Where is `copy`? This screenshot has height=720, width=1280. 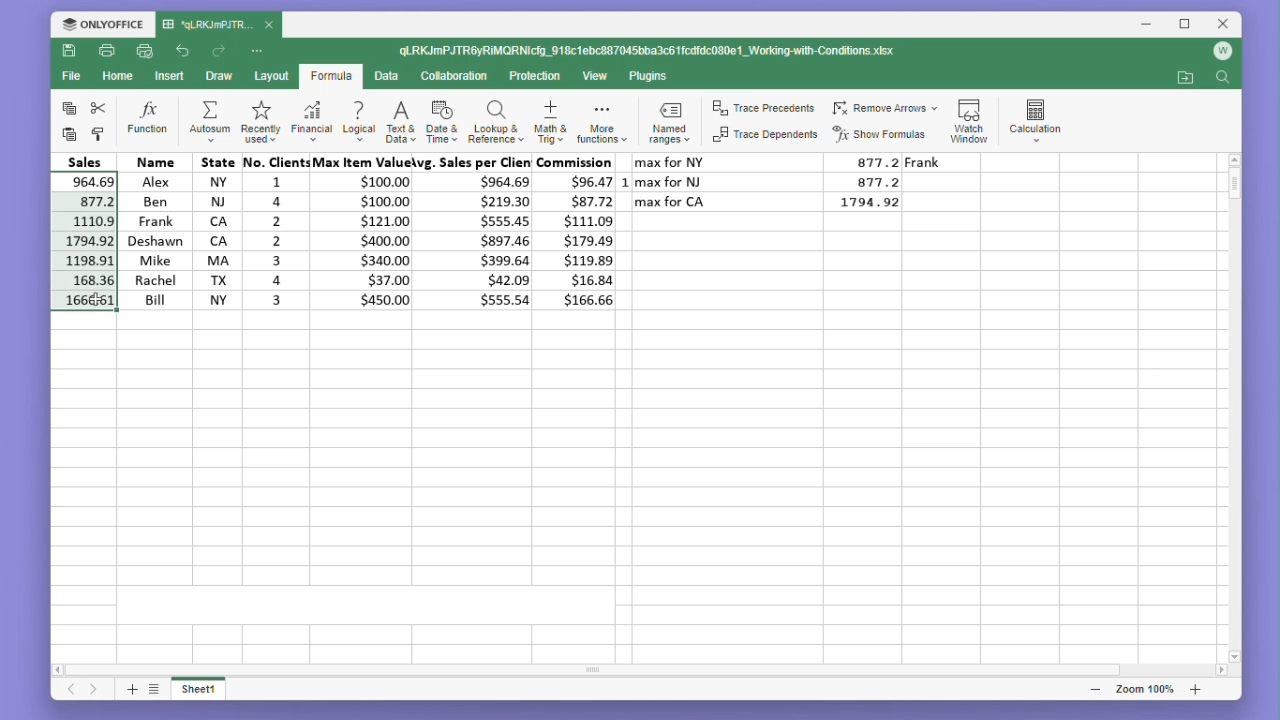
copy is located at coordinates (66, 108).